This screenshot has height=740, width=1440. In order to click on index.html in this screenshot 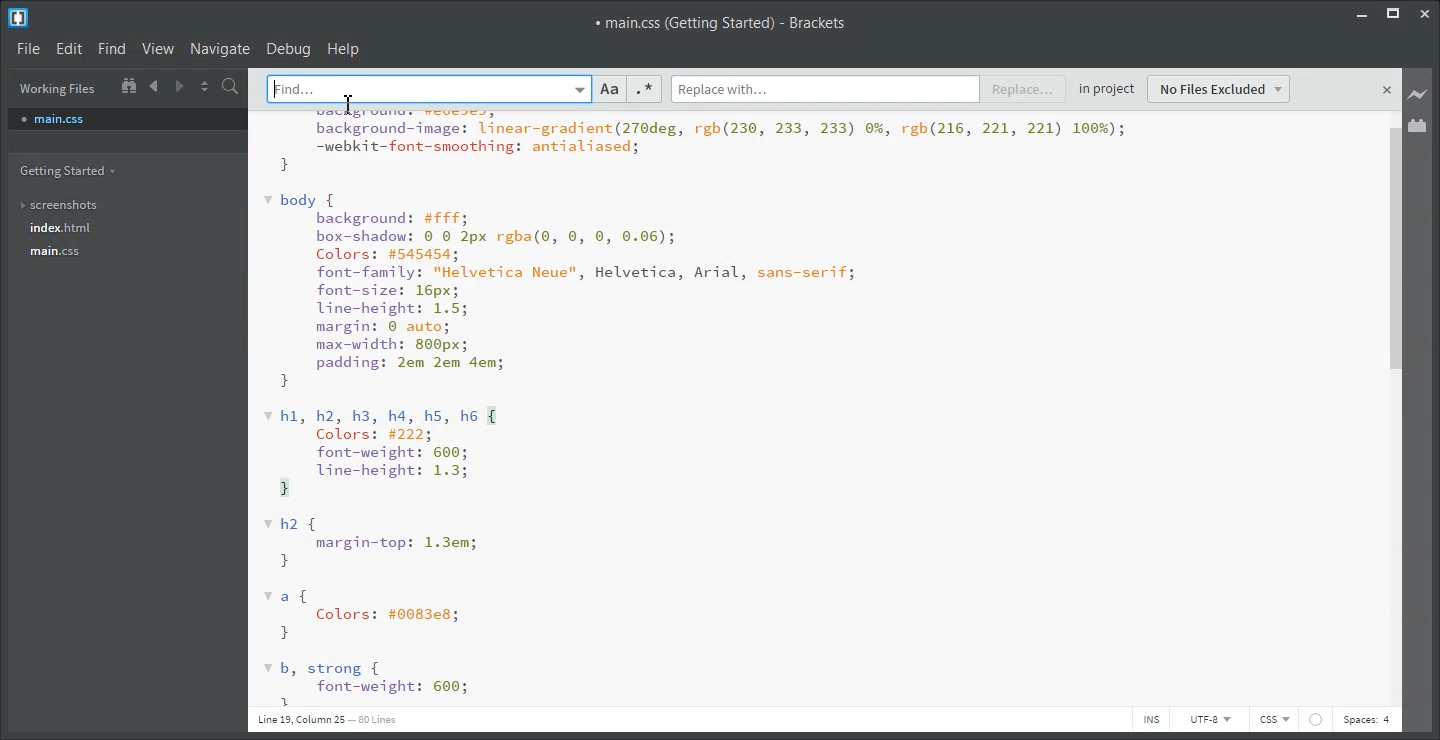, I will do `click(71, 228)`.